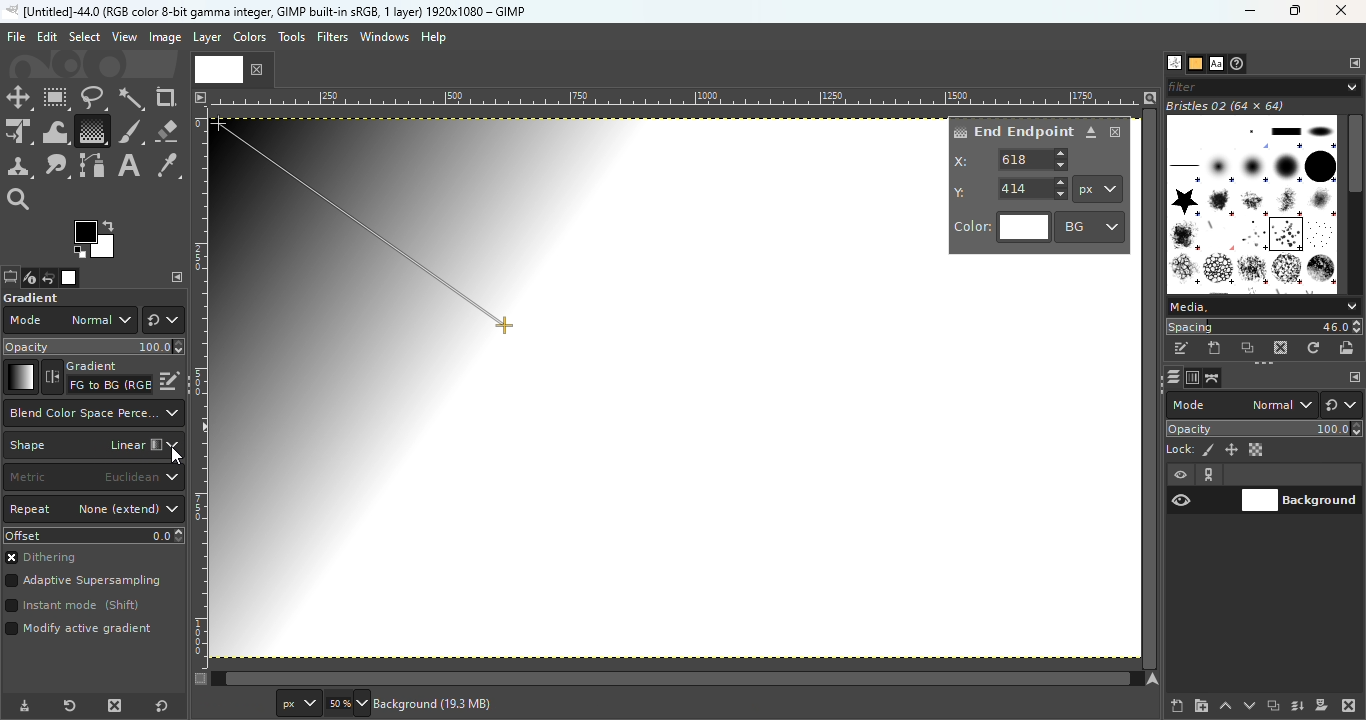 This screenshot has height=720, width=1366. Describe the element at coordinates (436, 37) in the screenshot. I see `Help` at that location.